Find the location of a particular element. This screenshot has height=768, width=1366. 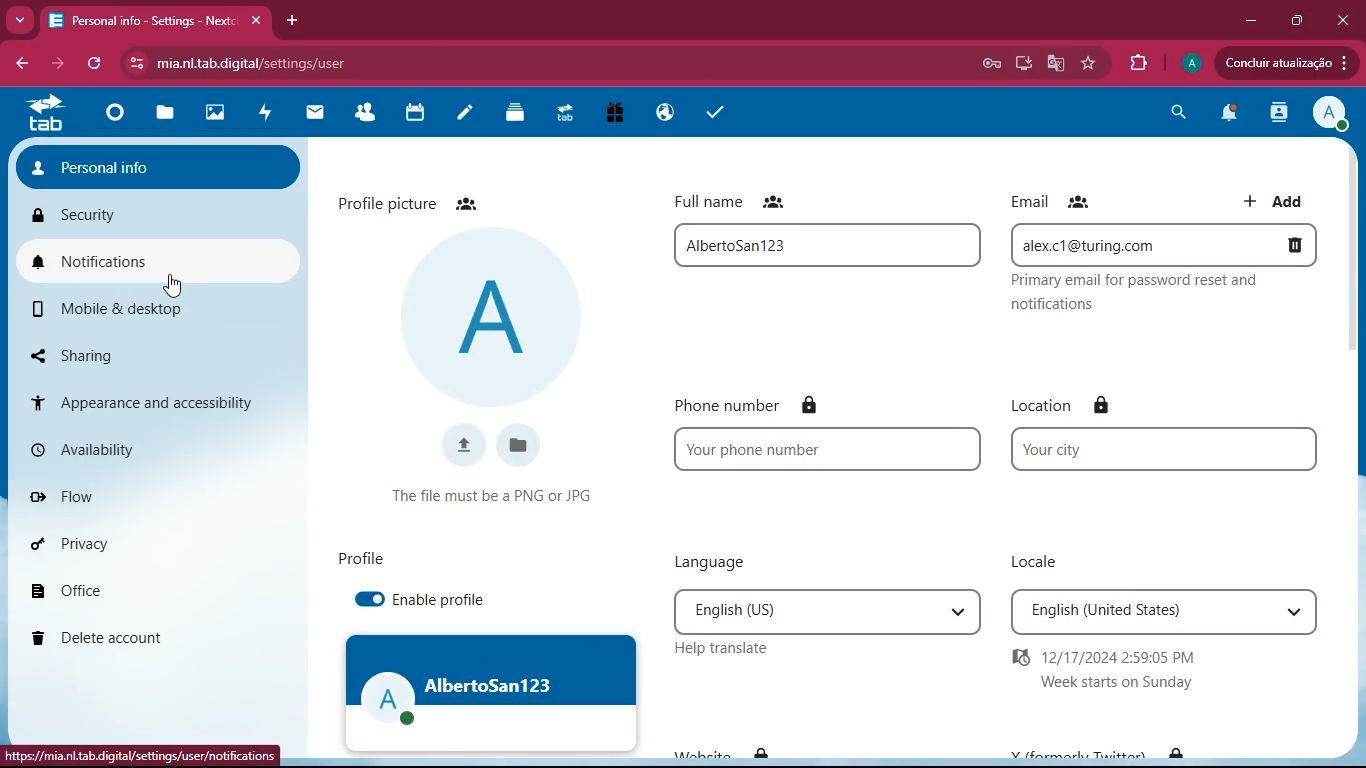

locale is located at coordinates (1032, 562).